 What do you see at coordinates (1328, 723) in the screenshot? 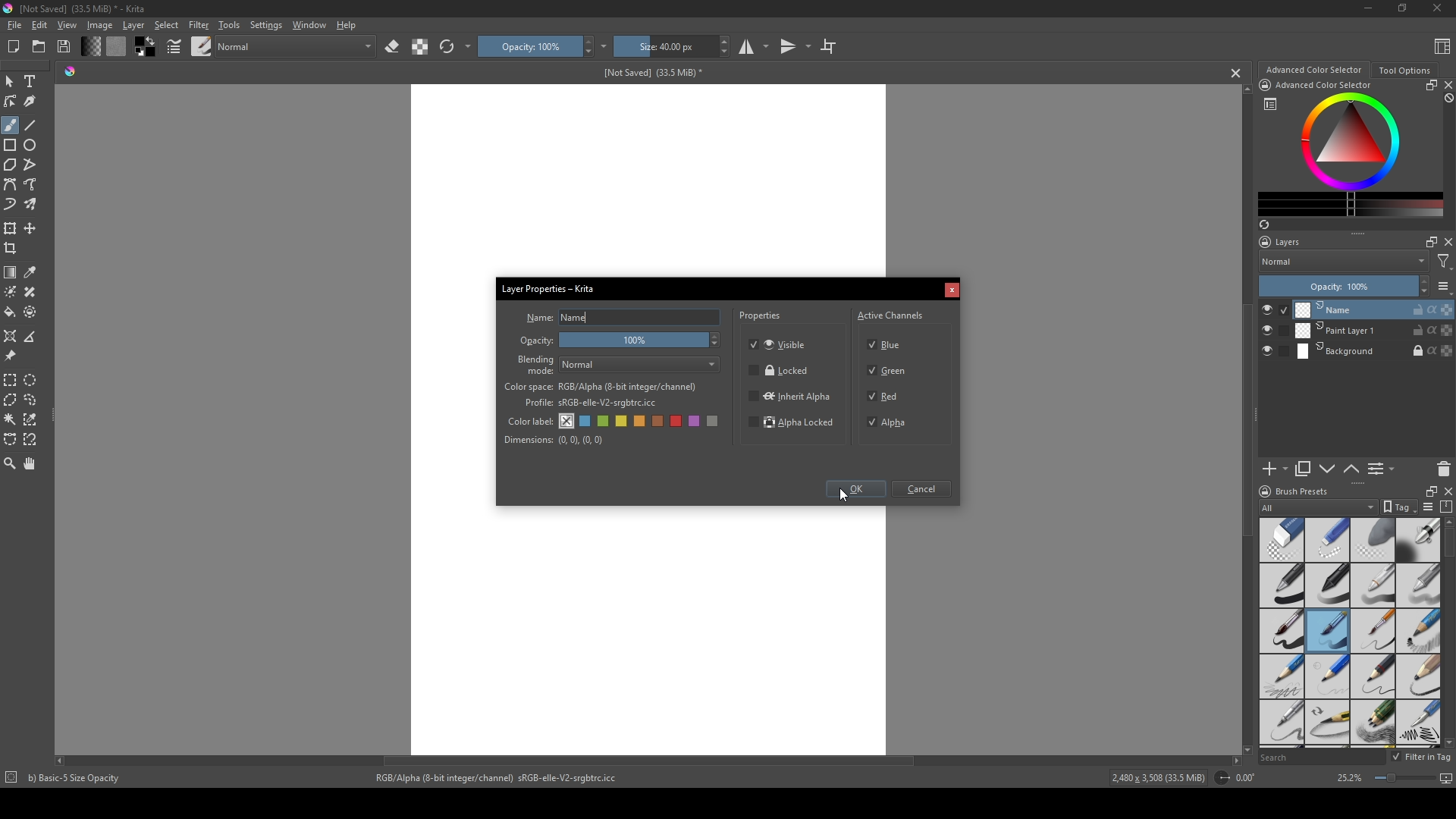
I see `pencil` at bounding box center [1328, 723].